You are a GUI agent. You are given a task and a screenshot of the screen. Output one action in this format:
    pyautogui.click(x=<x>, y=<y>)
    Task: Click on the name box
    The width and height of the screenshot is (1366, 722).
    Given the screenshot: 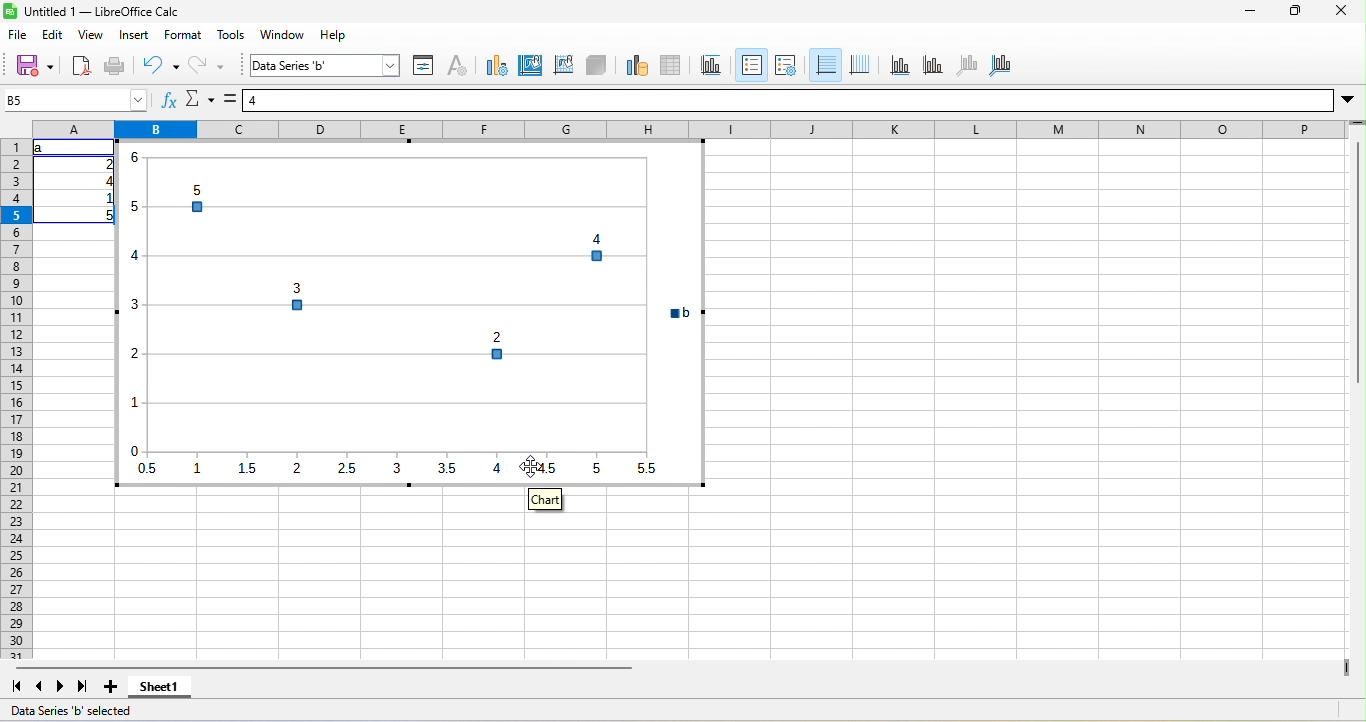 What is the action you would take?
    pyautogui.click(x=76, y=100)
    